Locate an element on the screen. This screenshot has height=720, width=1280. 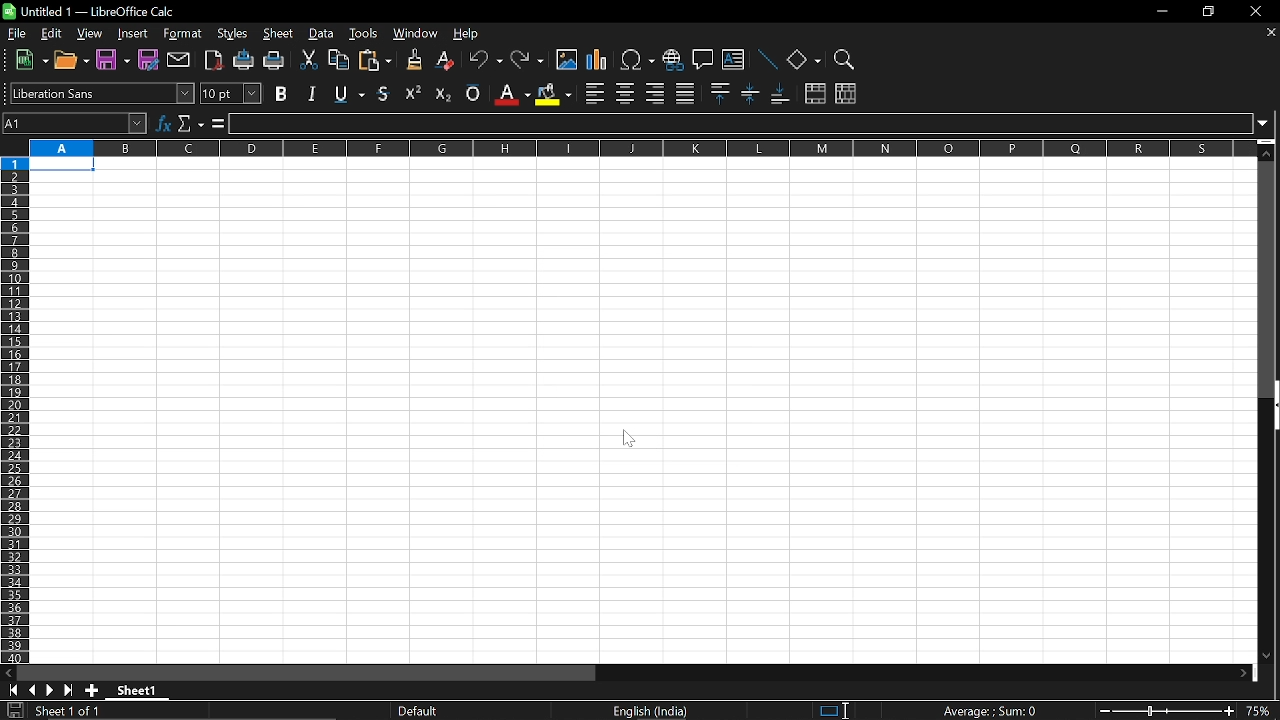
current zoom is located at coordinates (1262, 713).